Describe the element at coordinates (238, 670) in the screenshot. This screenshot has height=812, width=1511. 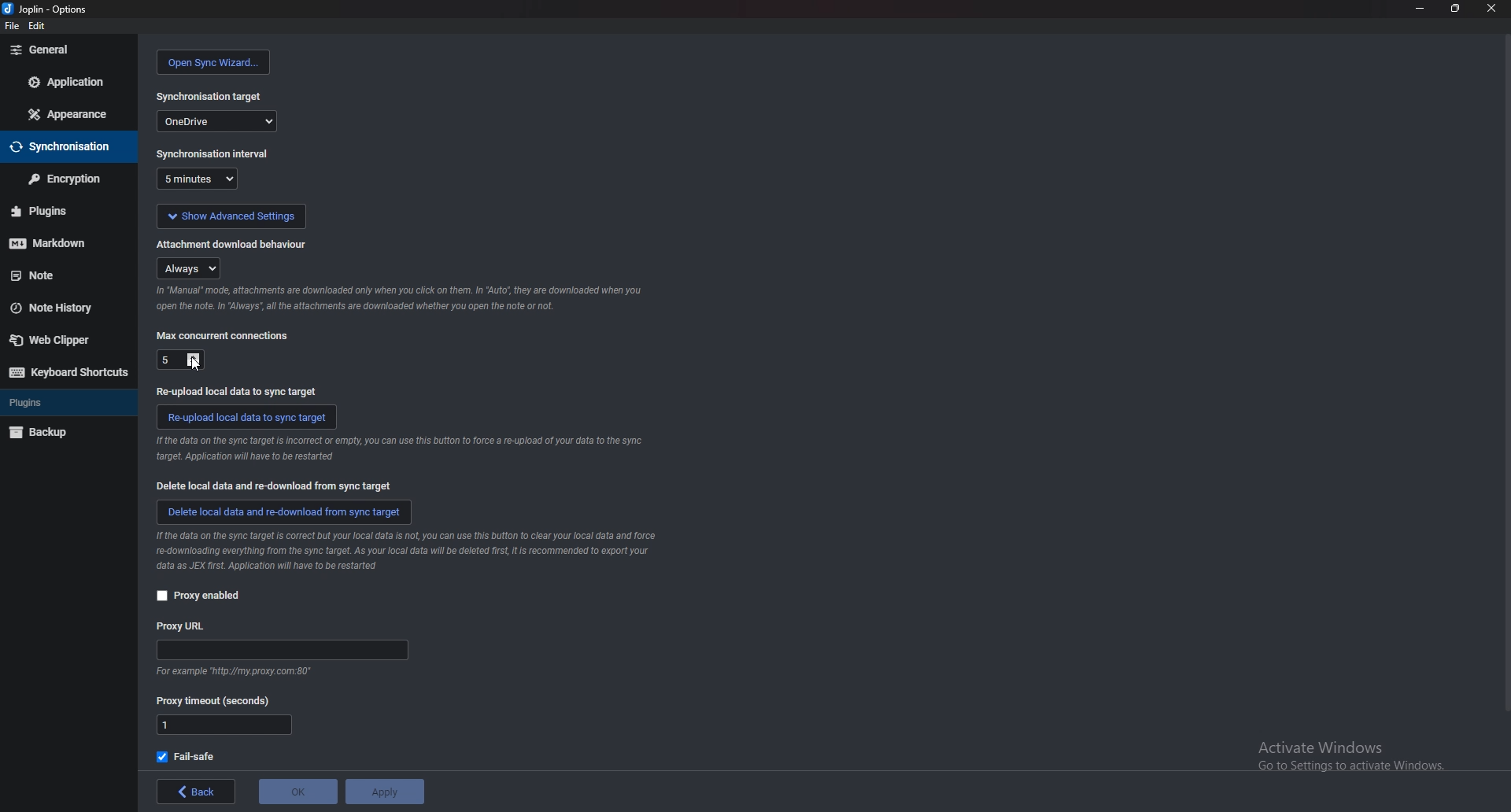
I see `info` at that location.